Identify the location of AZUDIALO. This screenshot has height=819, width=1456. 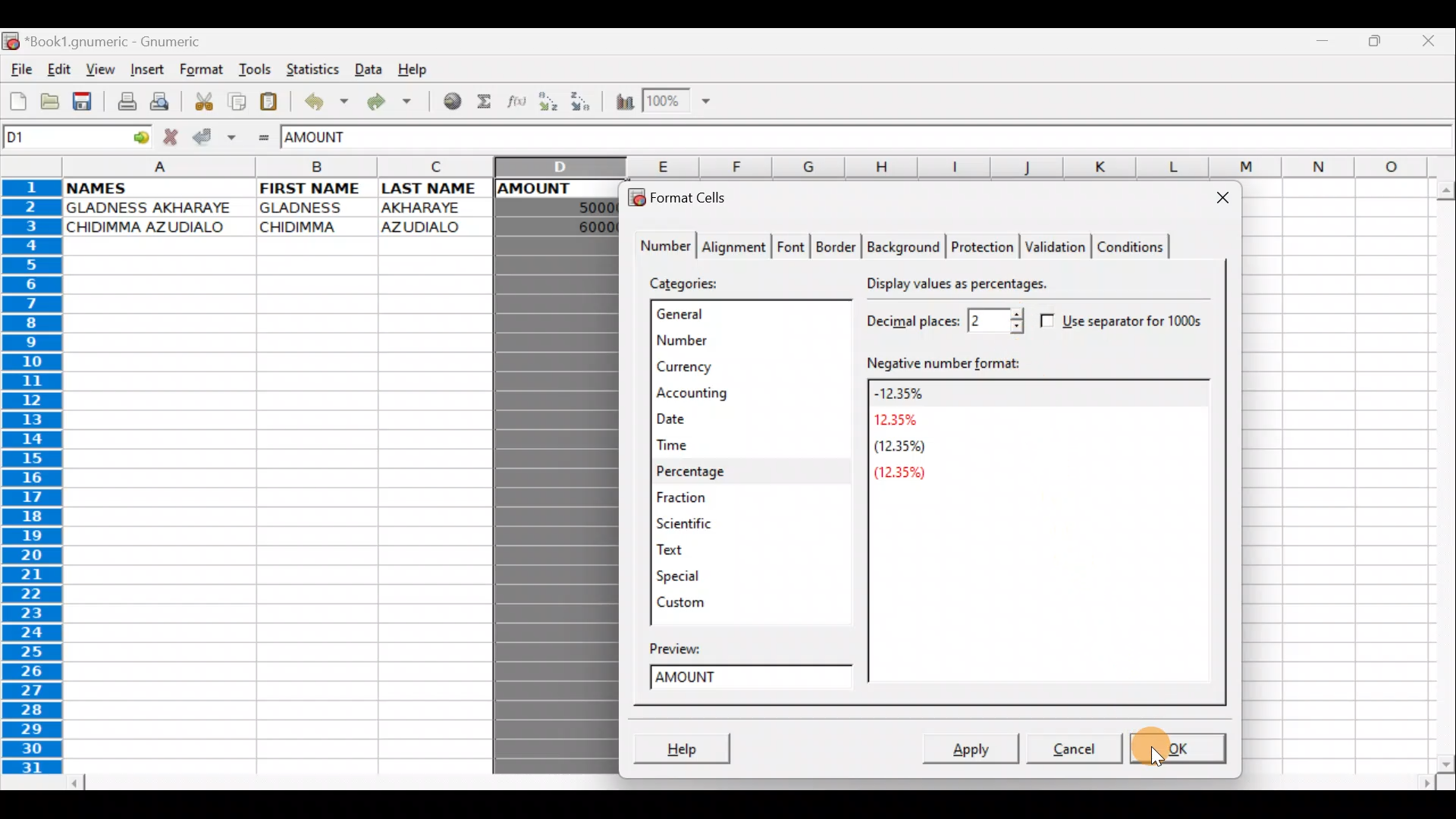
(427, 226).